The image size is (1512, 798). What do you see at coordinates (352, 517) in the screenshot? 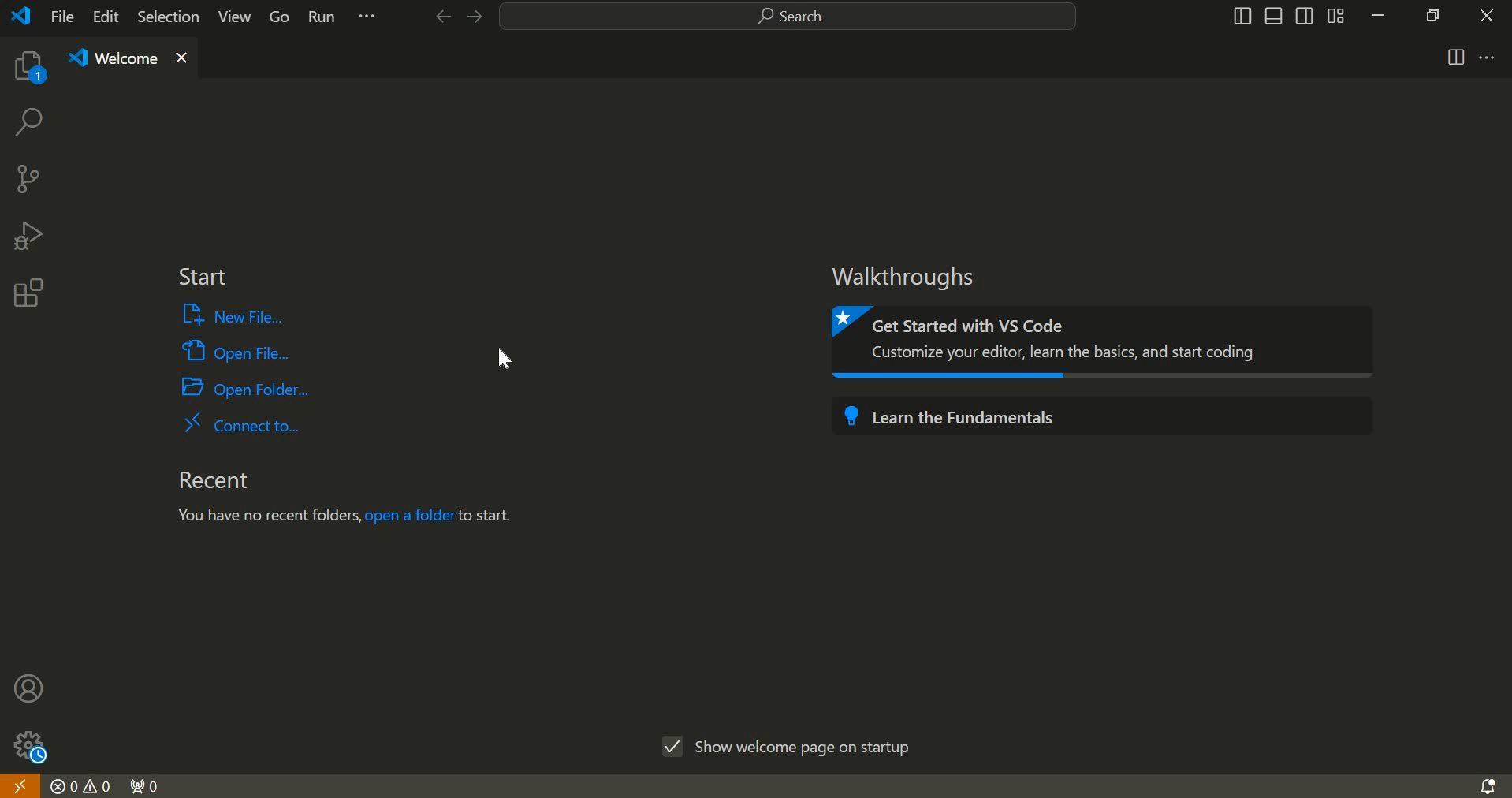
I see `you have no recent folders, open a folder to start` at bounding box center [352, 517].